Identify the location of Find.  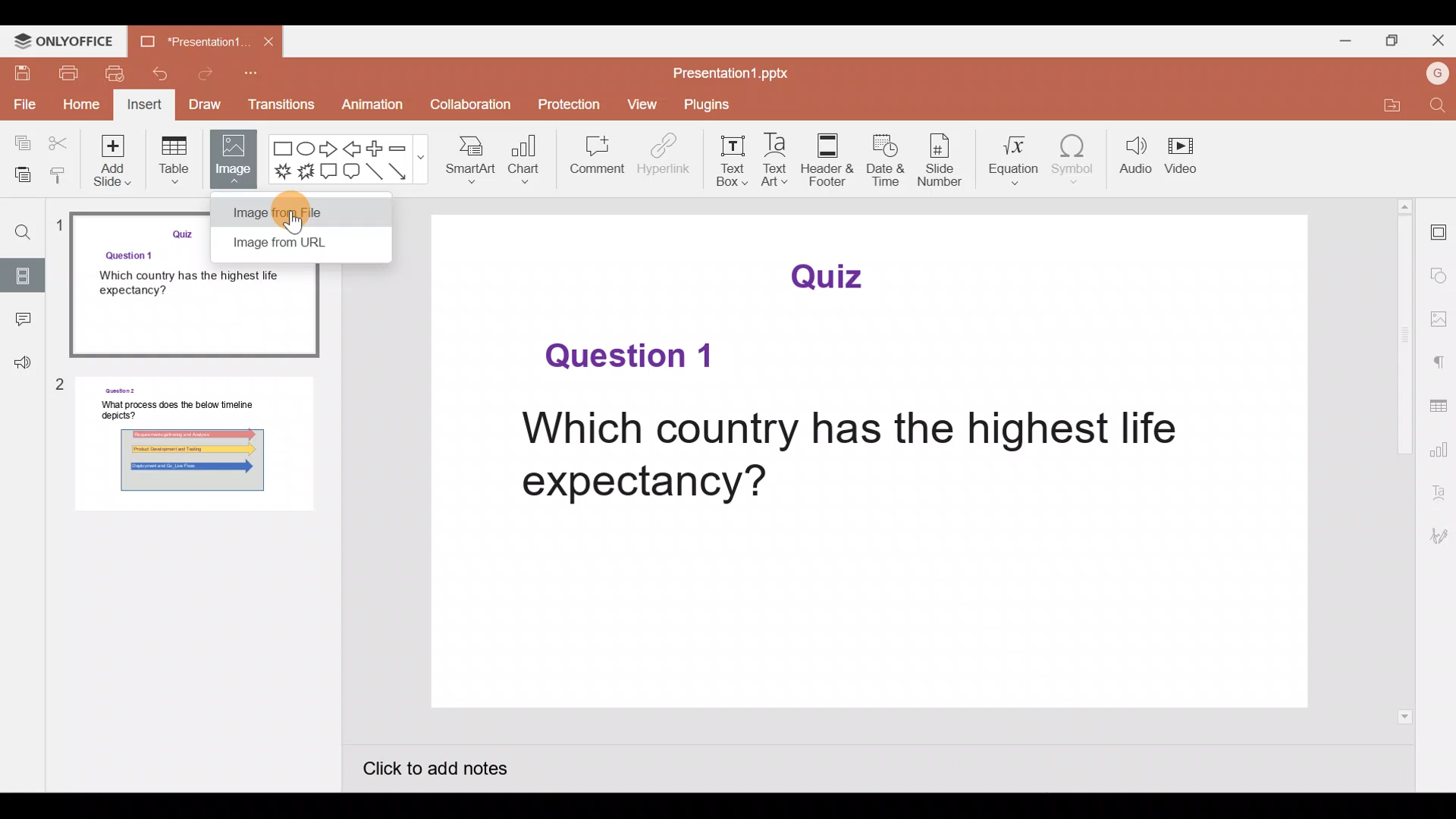
(1435, 108).